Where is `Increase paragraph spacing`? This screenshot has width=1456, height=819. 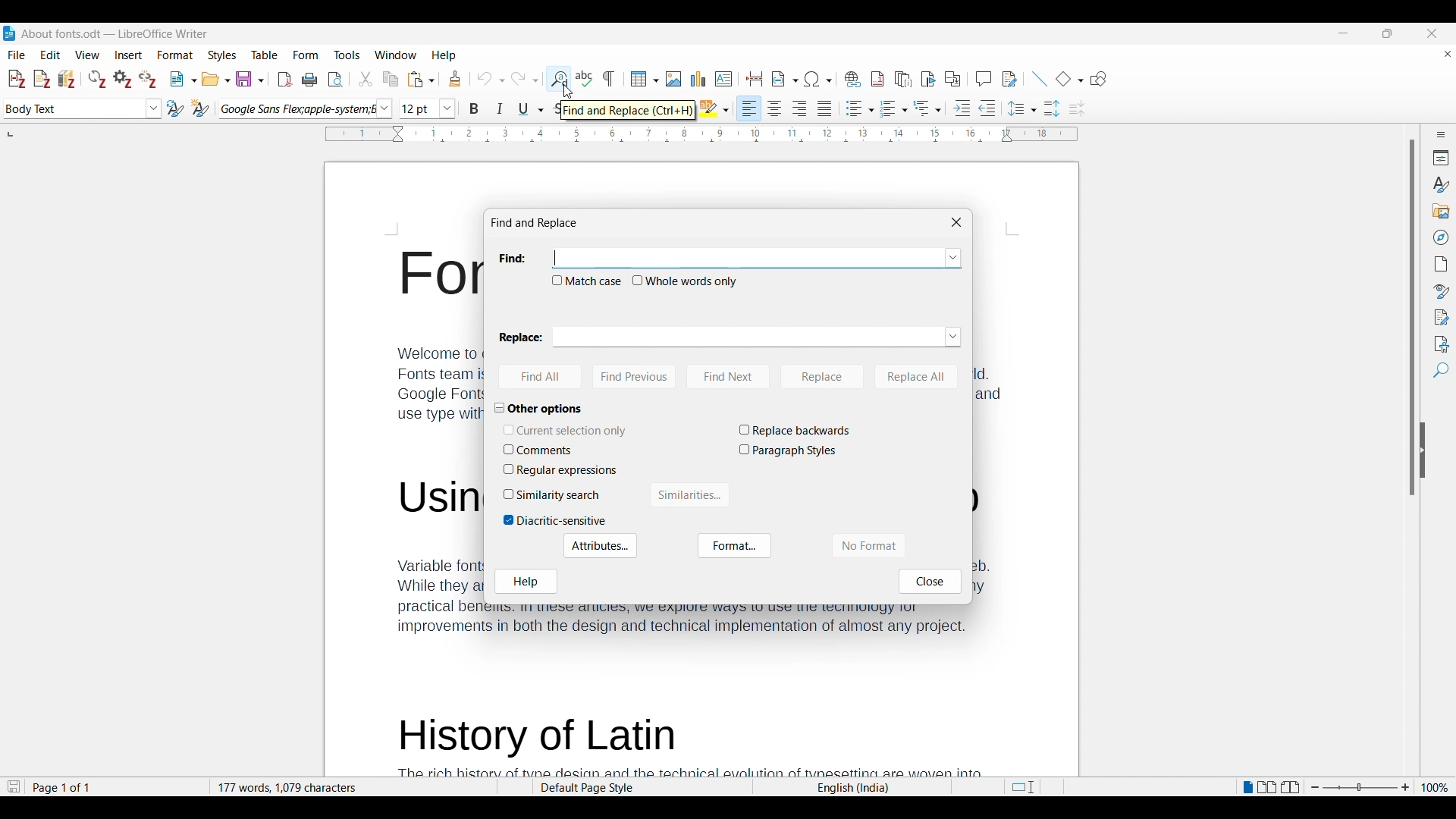 Increase paragraph spacing is located at coordinates (1053, 108).